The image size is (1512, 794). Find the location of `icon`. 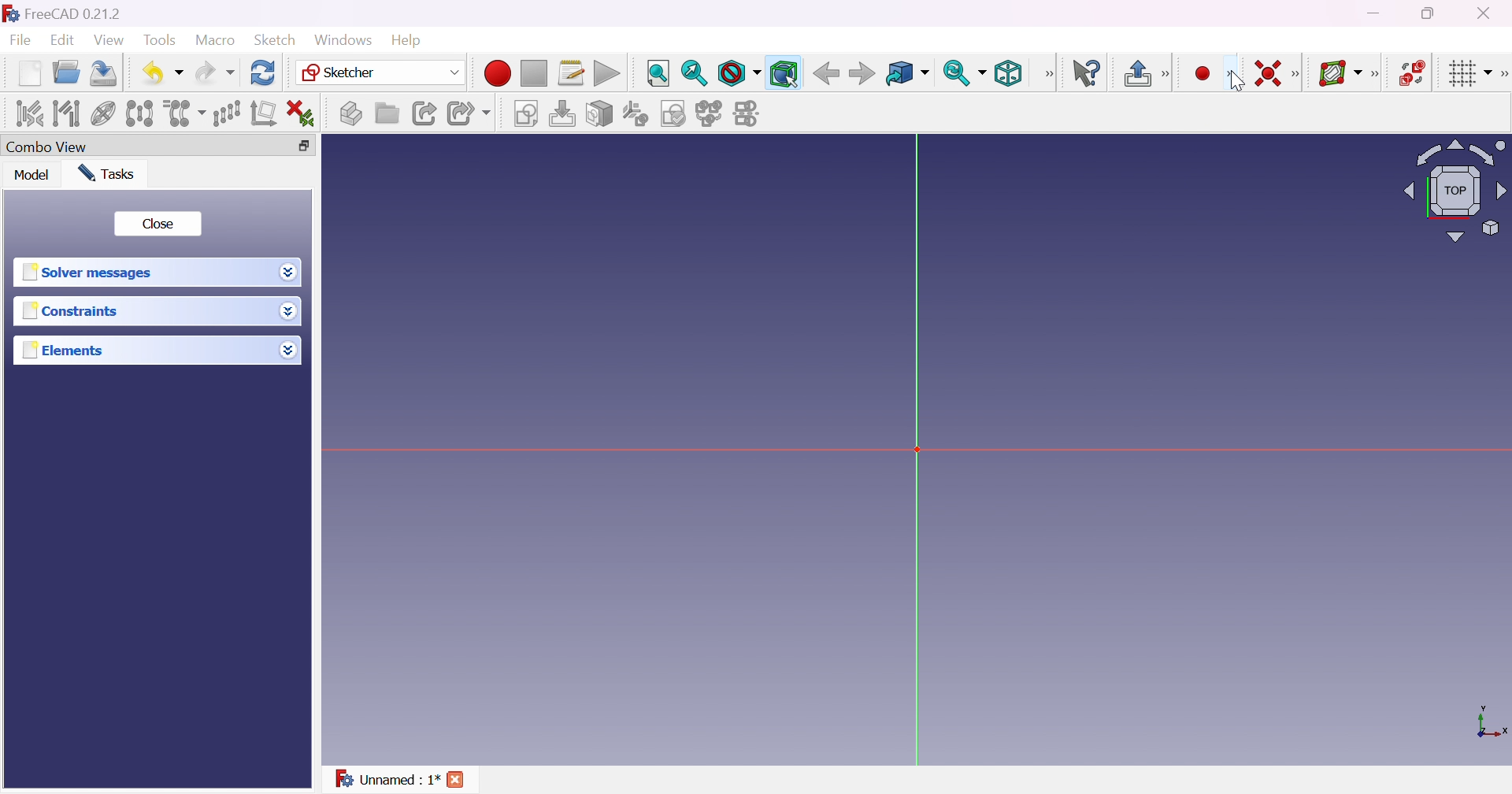

icon is located at coordinates (10, 13).